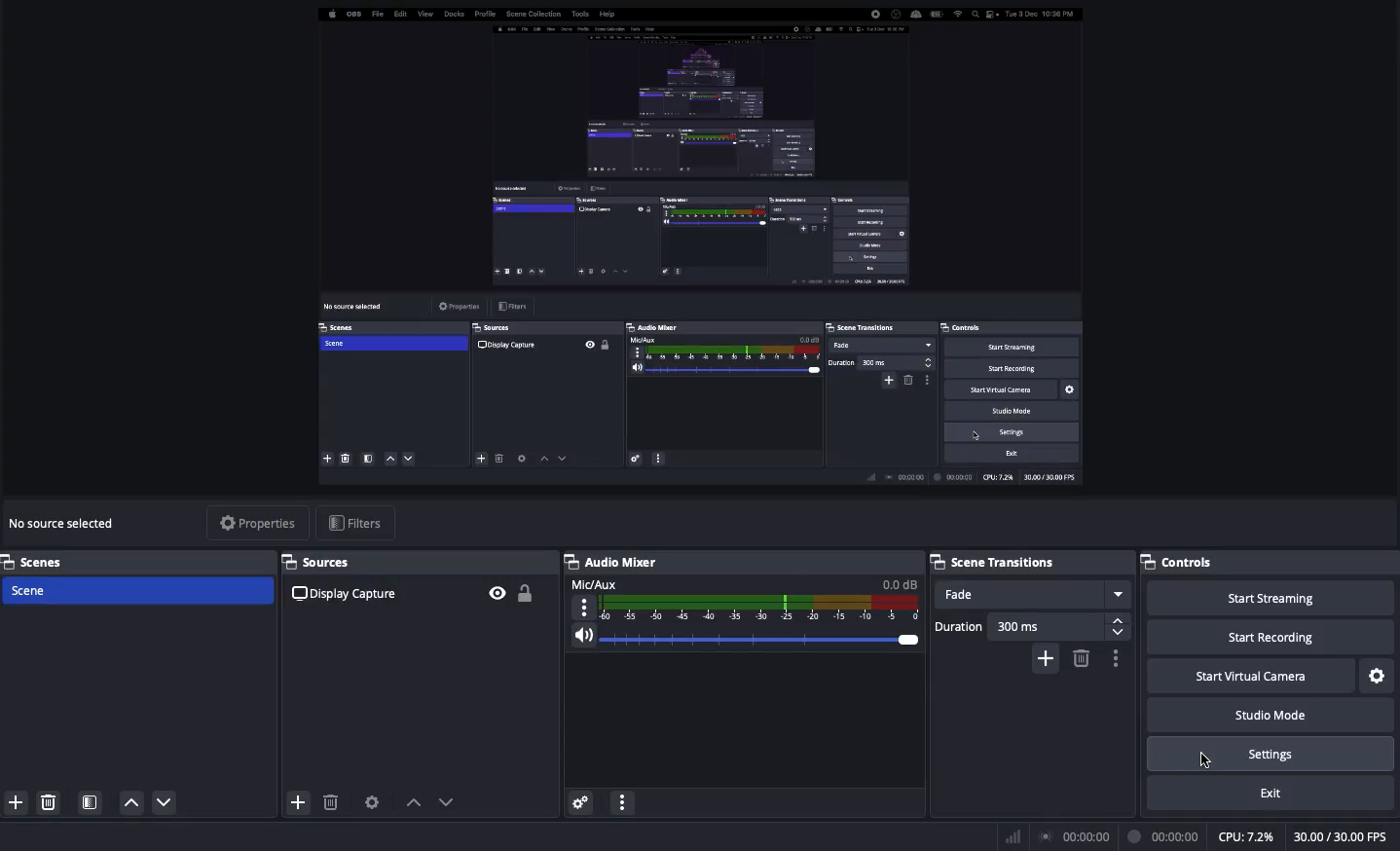 The height and width of the screenshot is (851, 1400). What do you see at coordinates (64, 527) in the screenshot?
I see `No source selected` at bounding box center [64, 527].